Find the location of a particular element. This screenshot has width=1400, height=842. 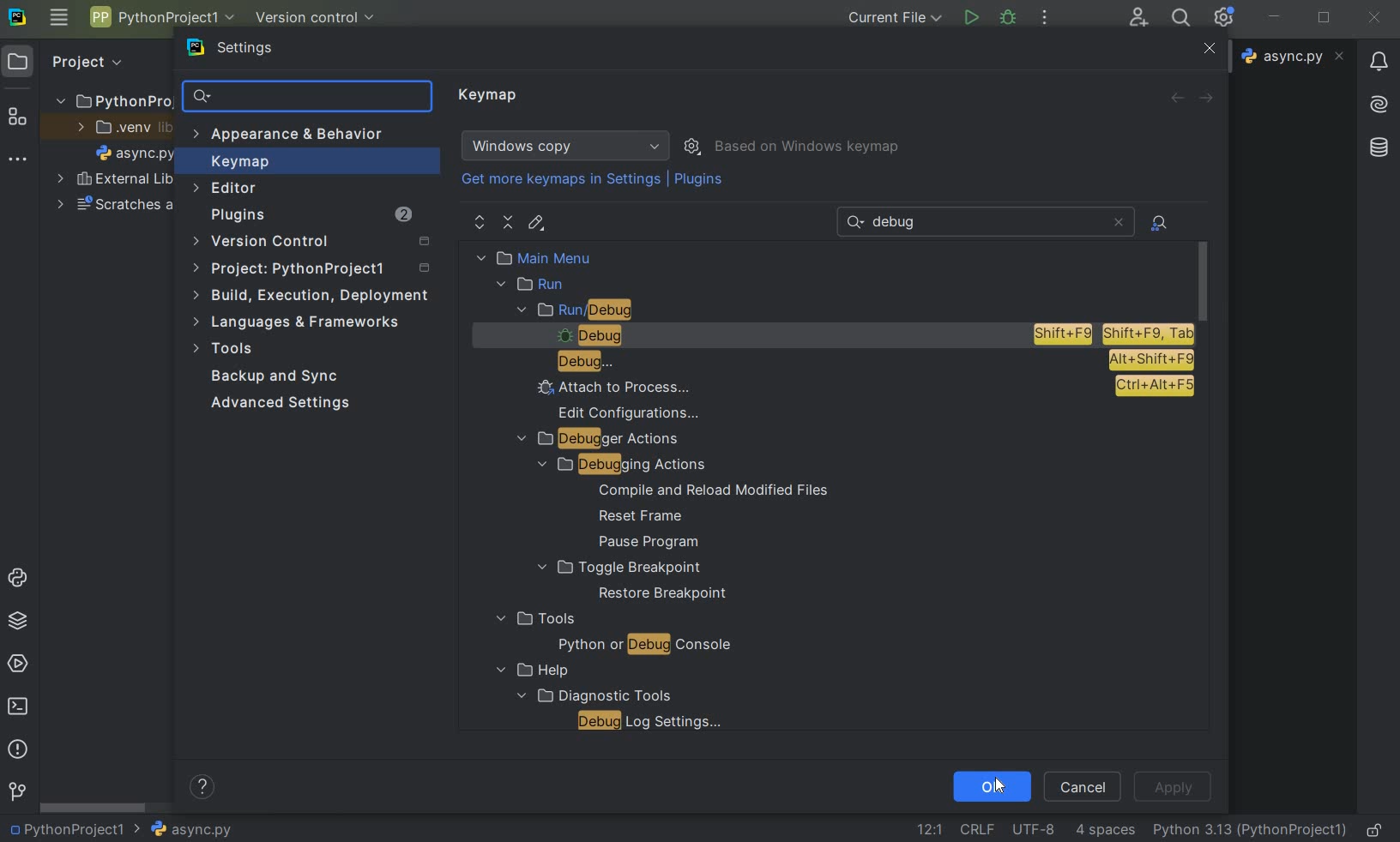

expand all is located at coordinates (480, 223).